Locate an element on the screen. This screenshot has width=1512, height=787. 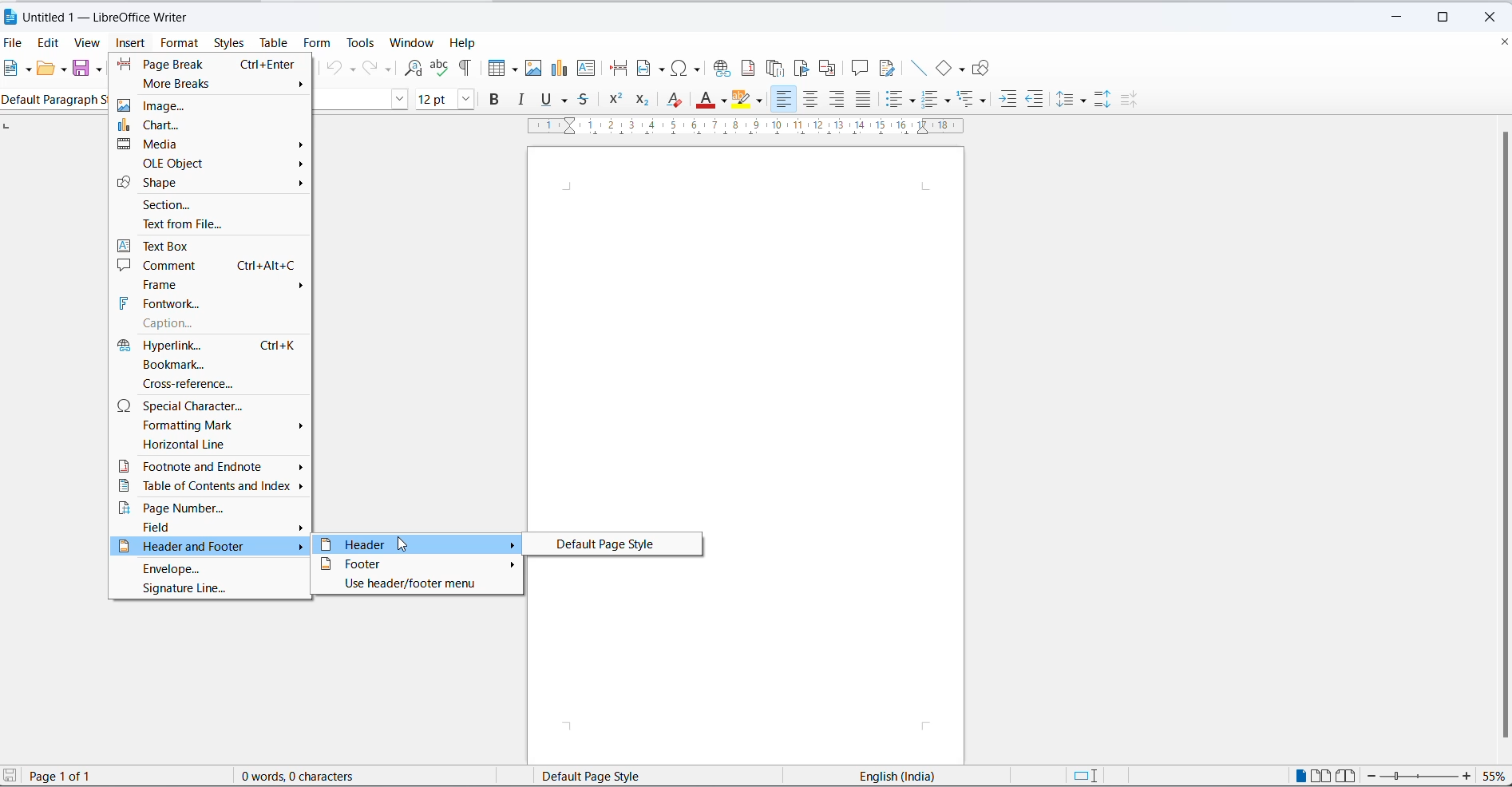
cross-reference is located at coordinates (209, 384).